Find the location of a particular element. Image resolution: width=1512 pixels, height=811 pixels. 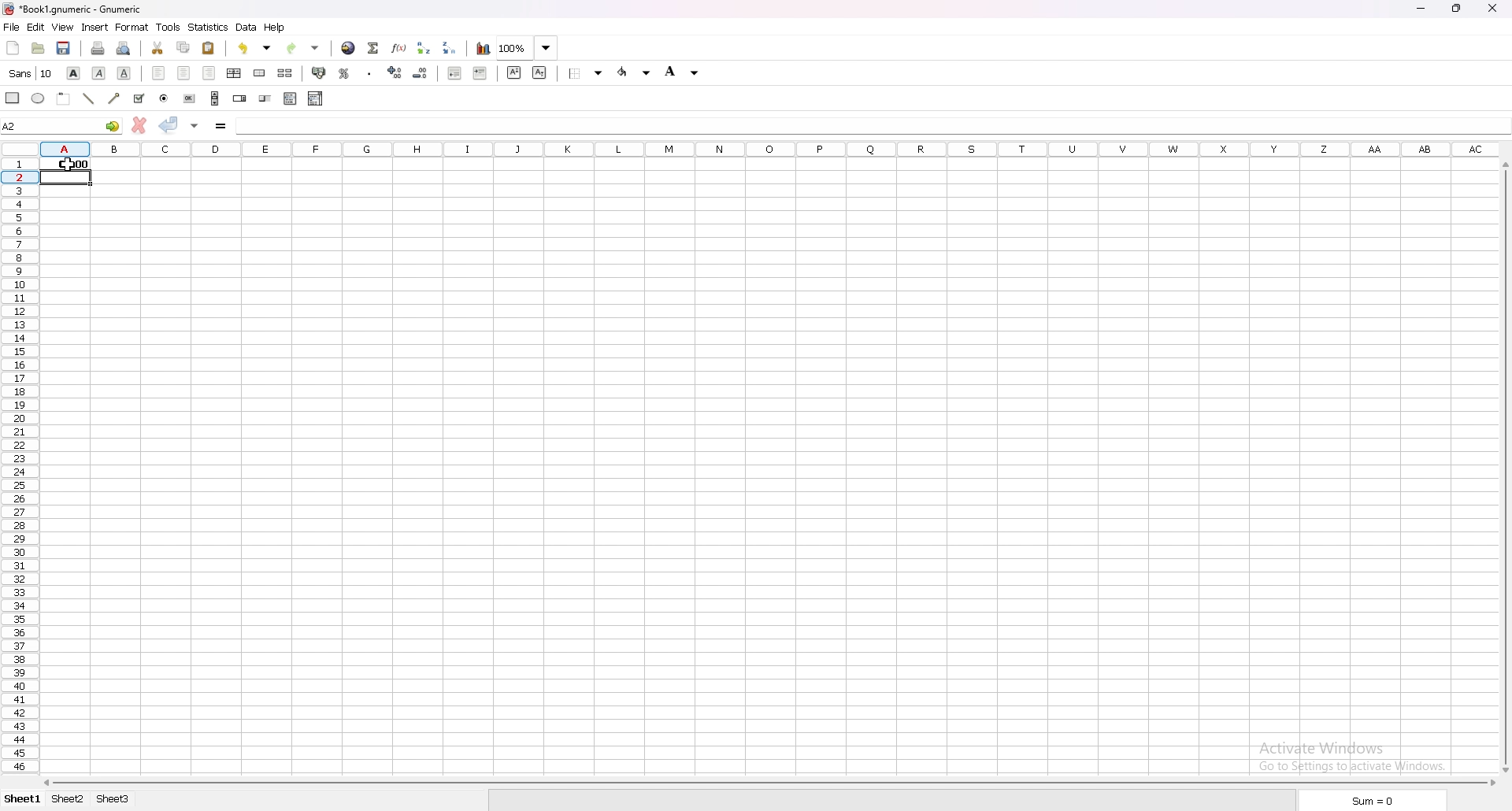

align right is located at coordinates (209, 73).